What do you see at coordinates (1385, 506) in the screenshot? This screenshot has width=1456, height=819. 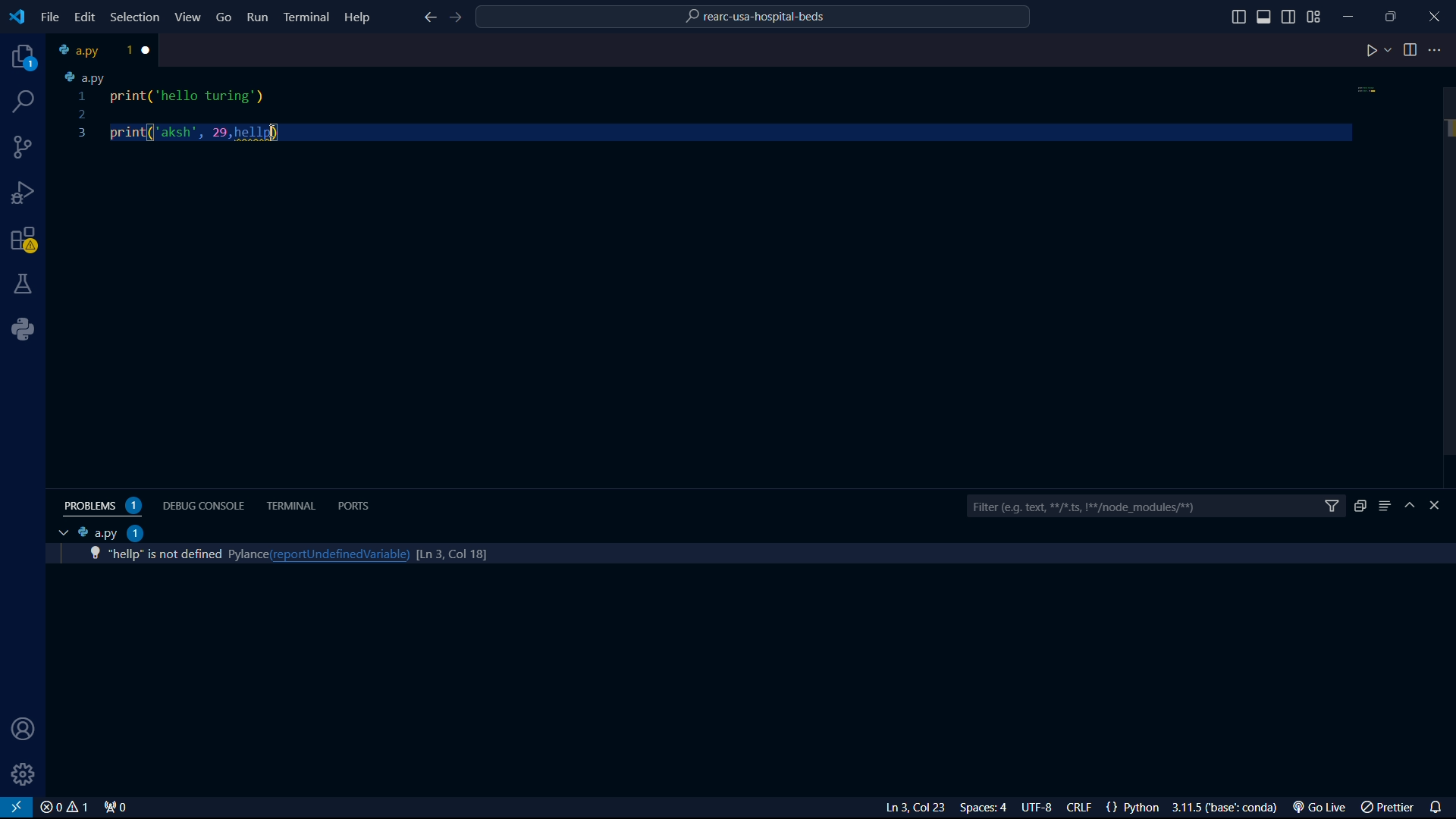 I see `menu` at bounding box center [1385, 506].